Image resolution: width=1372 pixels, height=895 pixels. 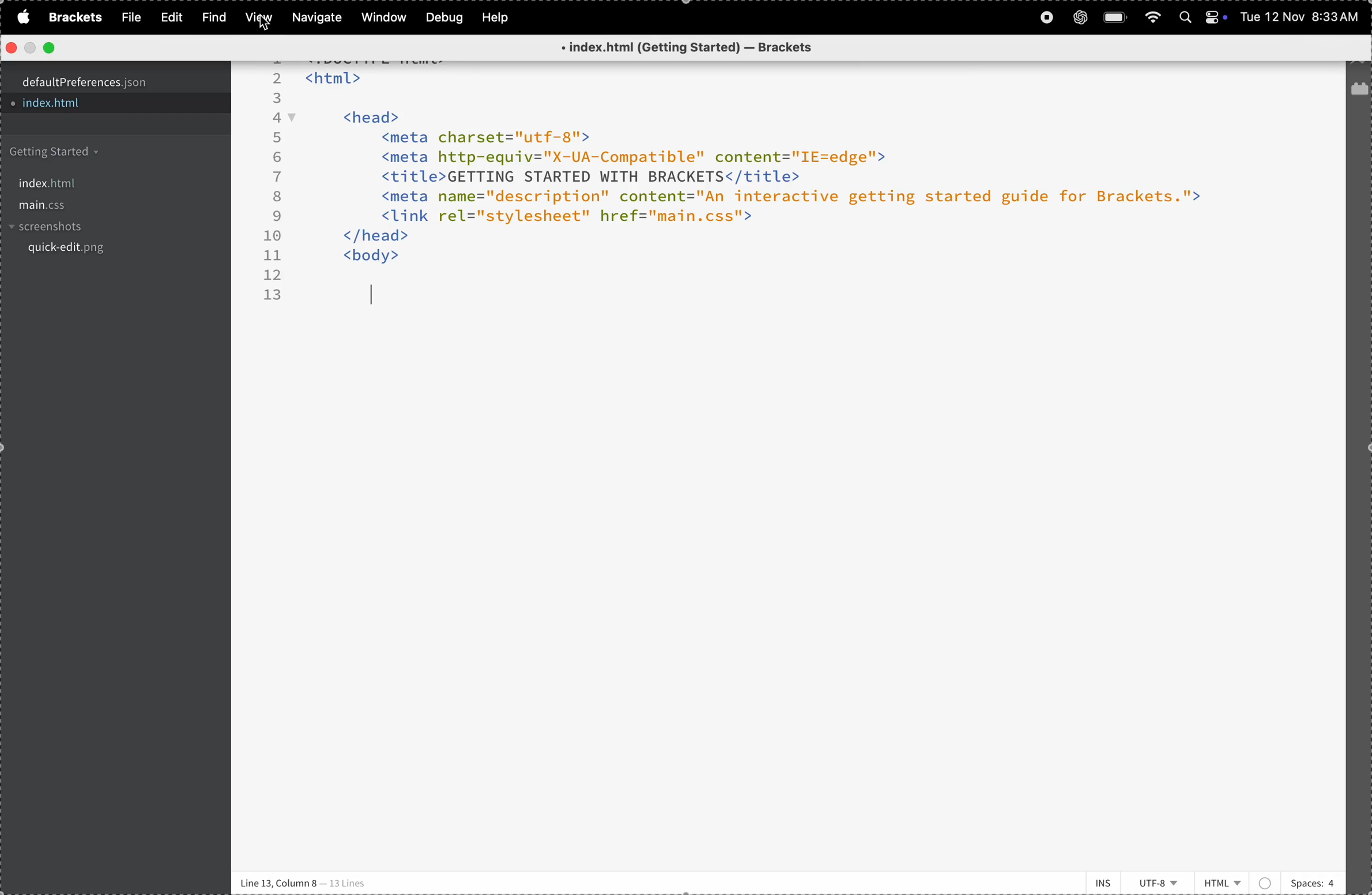 What do you see at coordinates (1187, 18) in the screenshot?
I see `Search icon` at bounding box center [1187, 18].